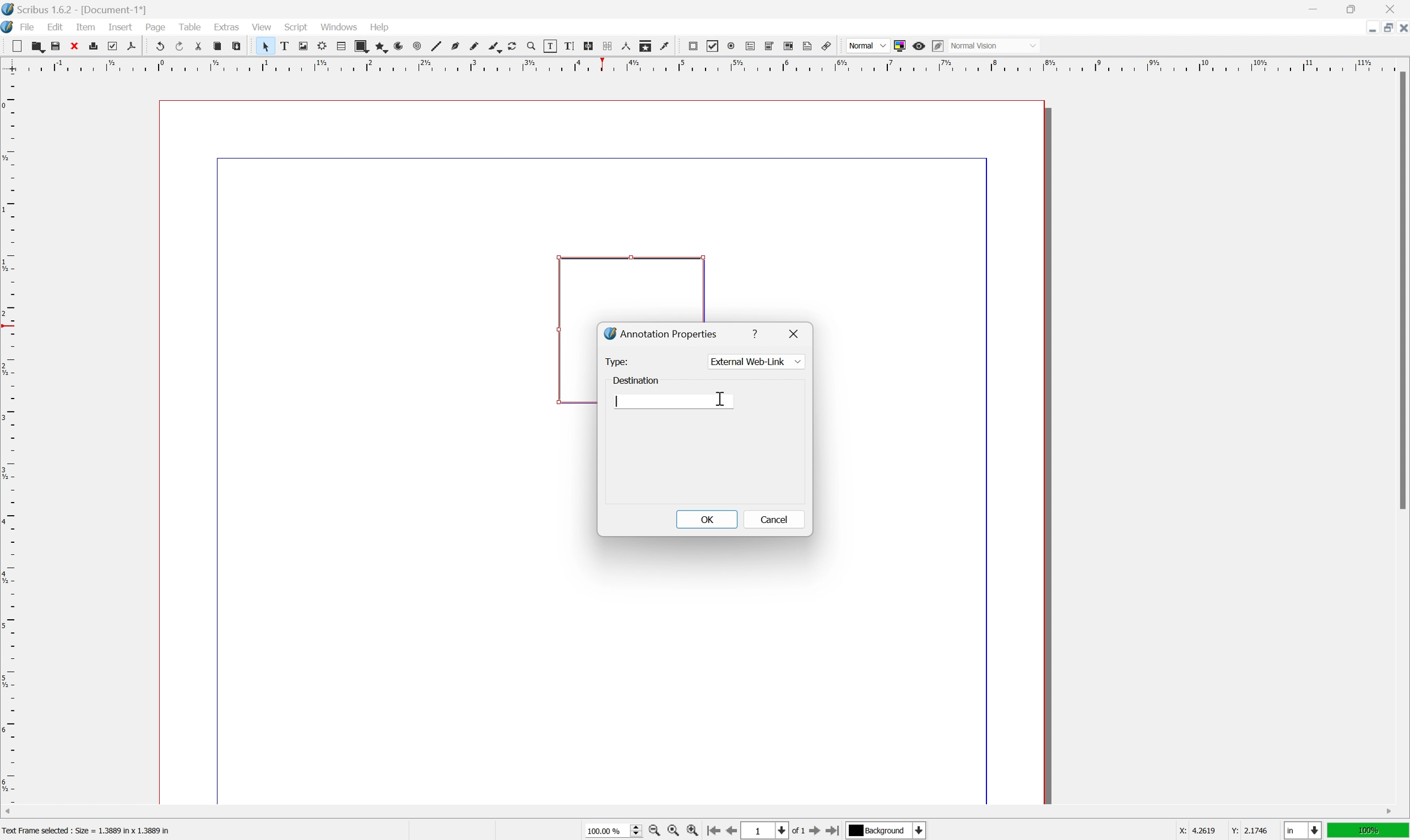  What do you see at coordinates (418, 46) in the screenshot?
I see `spiral` at bounding box center [418, 46].